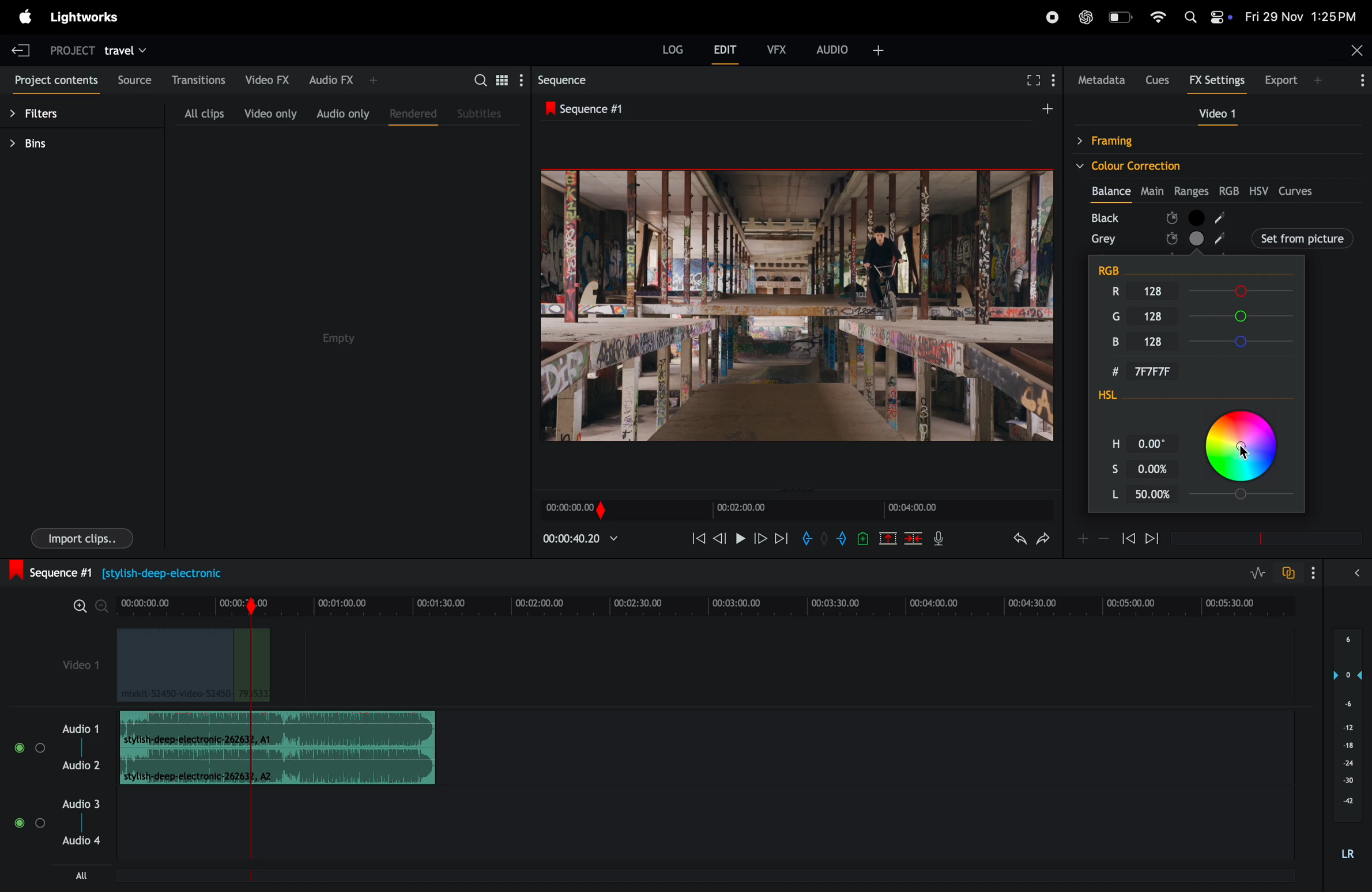  Describe the element at coordinates (1259, 572) in the screenshot. I see `toggle audio level editing` at that location.